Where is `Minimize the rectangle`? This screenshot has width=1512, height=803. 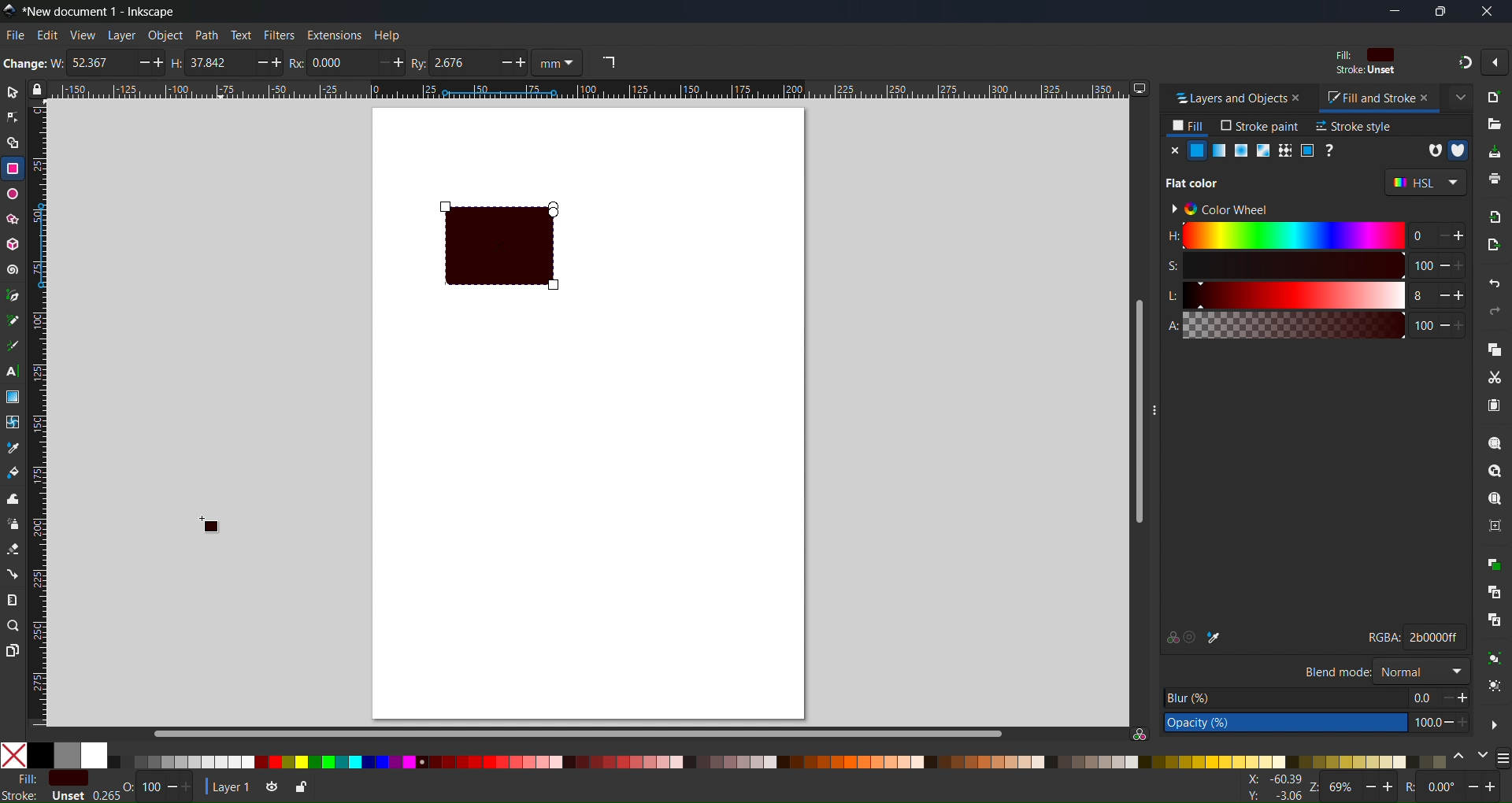 Minimize the rectangle is located at coordinates (258, 63).